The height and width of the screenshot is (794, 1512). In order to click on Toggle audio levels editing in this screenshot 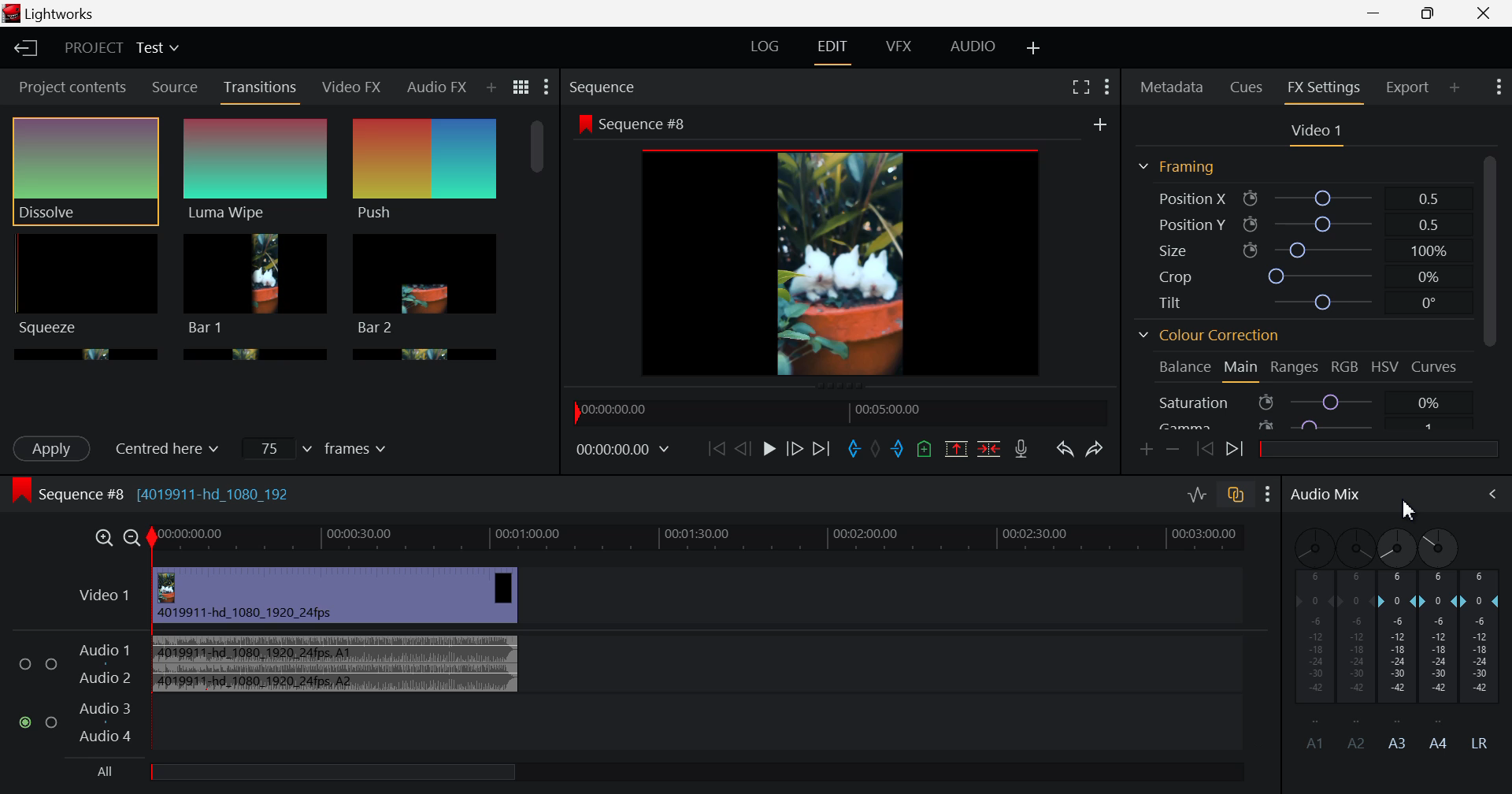, I will do `click(1196, 497)`.